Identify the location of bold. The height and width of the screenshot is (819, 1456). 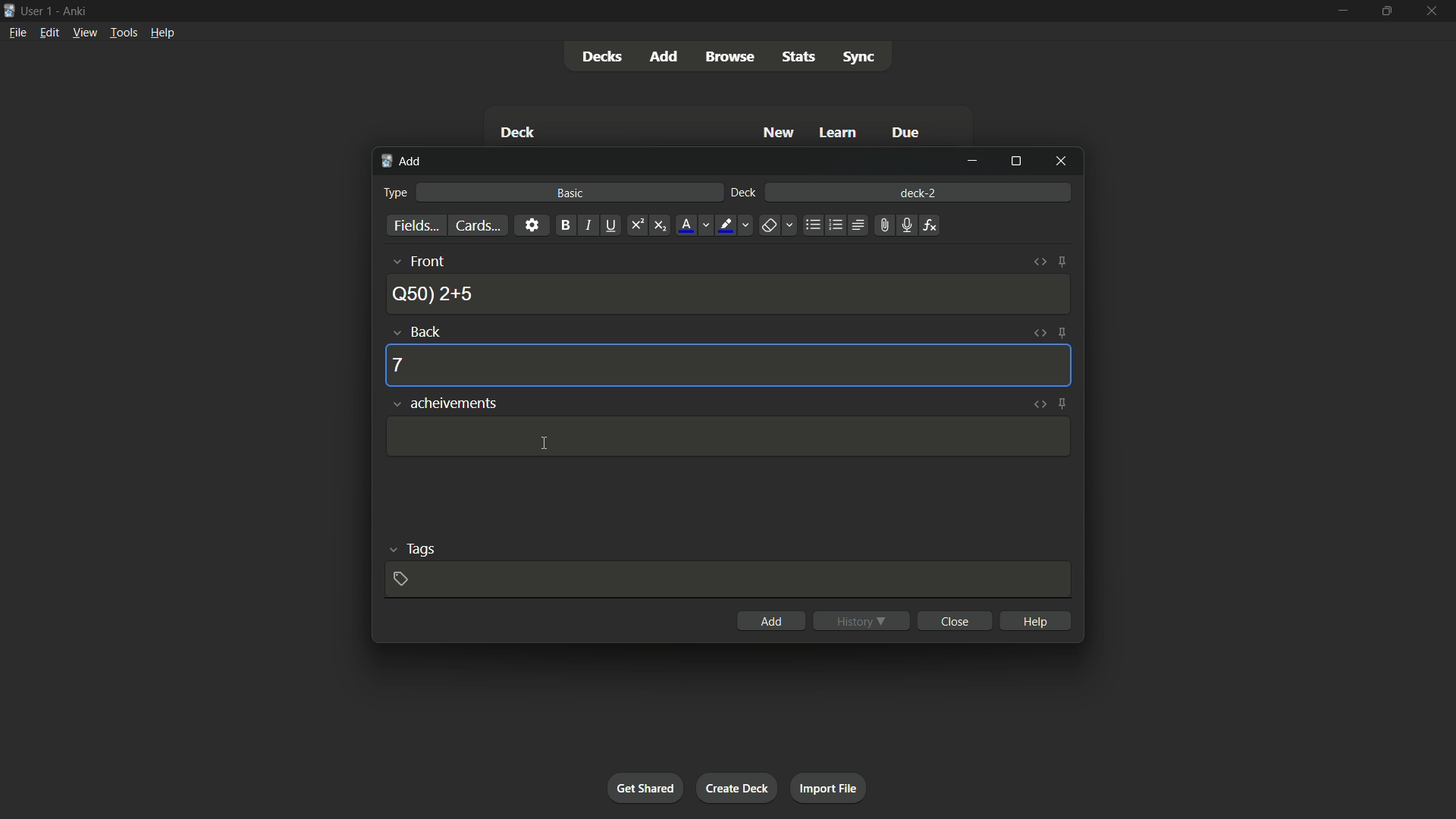
(565, 226).